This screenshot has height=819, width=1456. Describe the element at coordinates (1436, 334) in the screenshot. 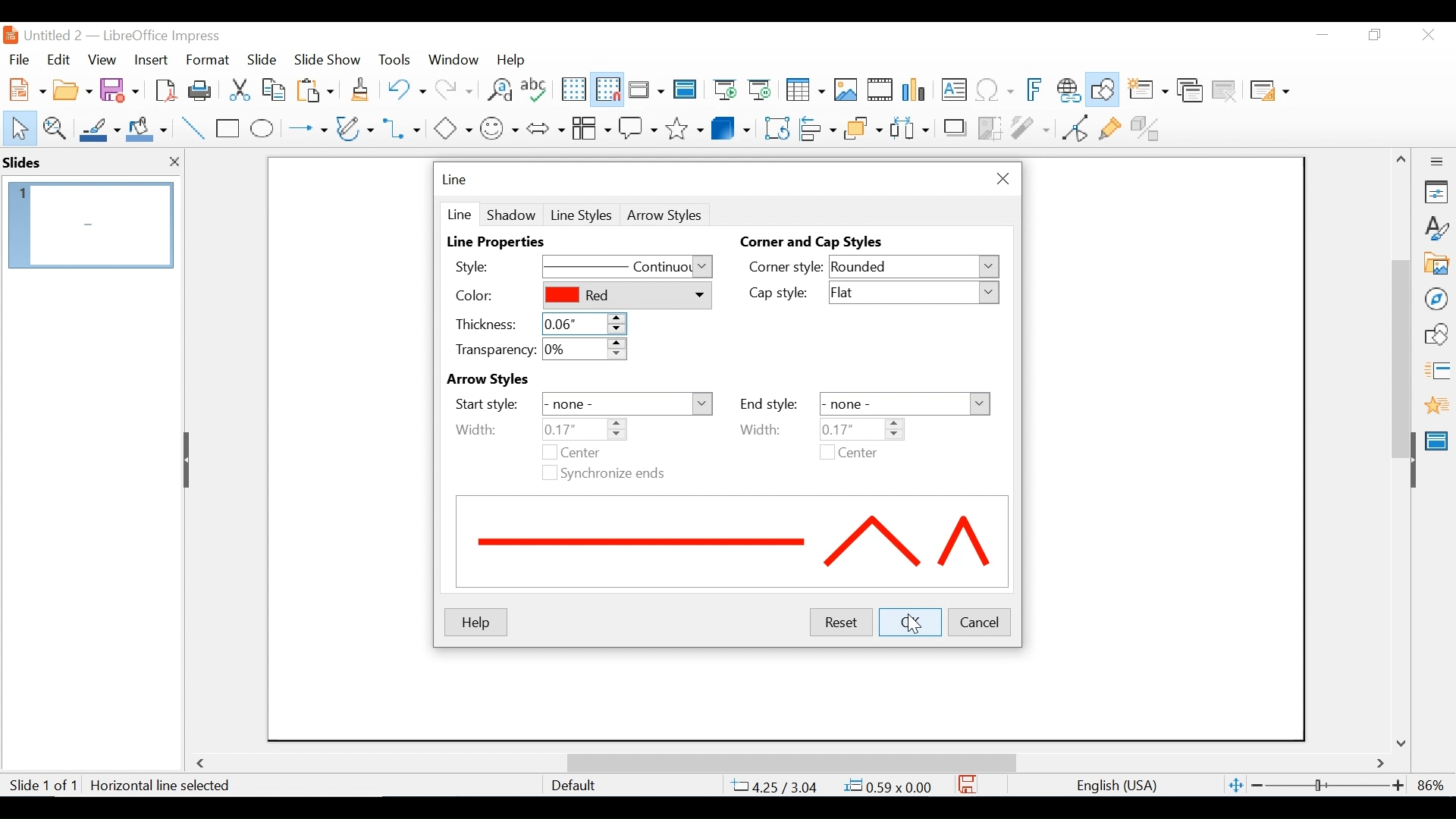

I see `Shapes` at that location.